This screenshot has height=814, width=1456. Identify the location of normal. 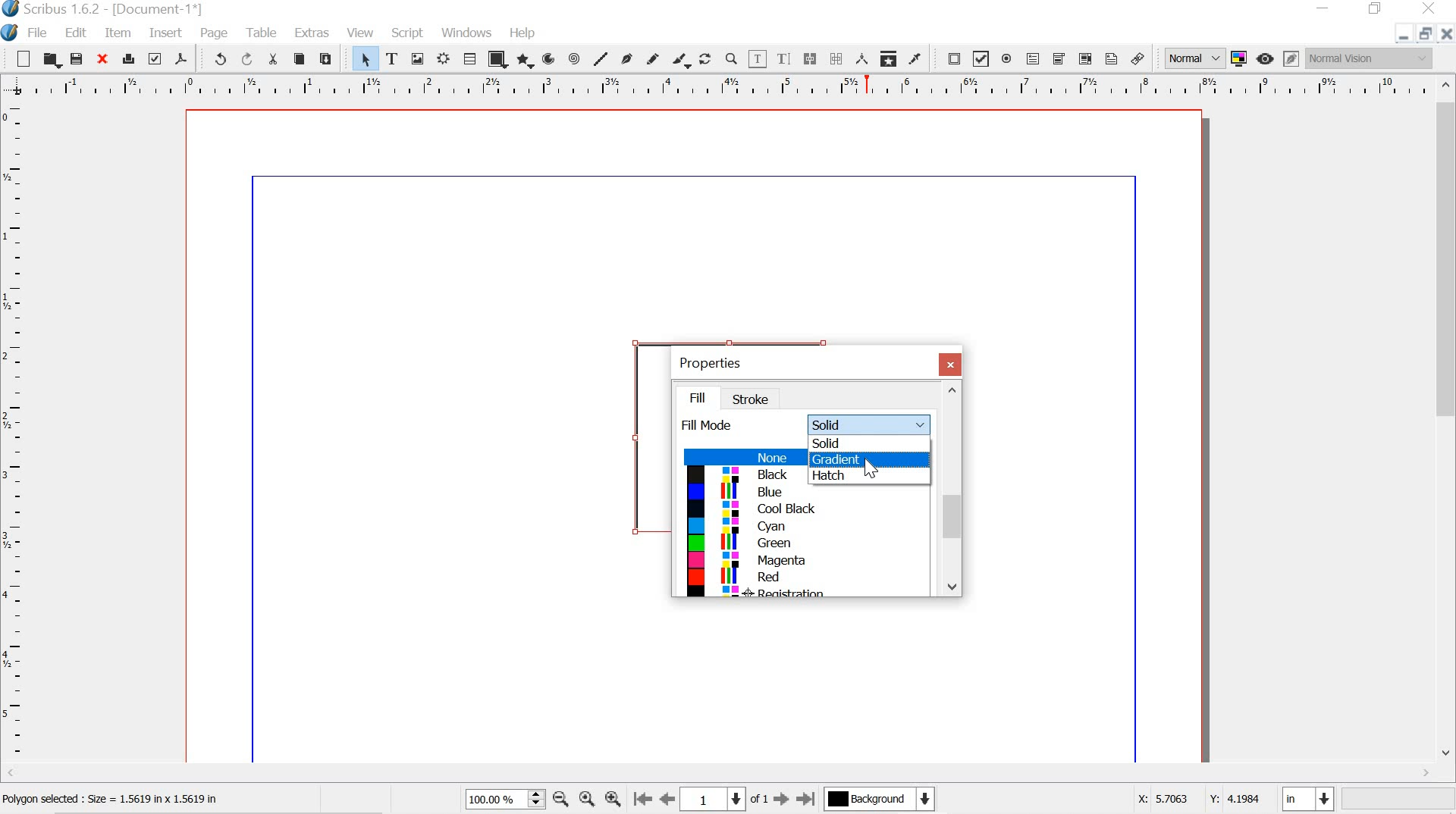
(1194, 58).